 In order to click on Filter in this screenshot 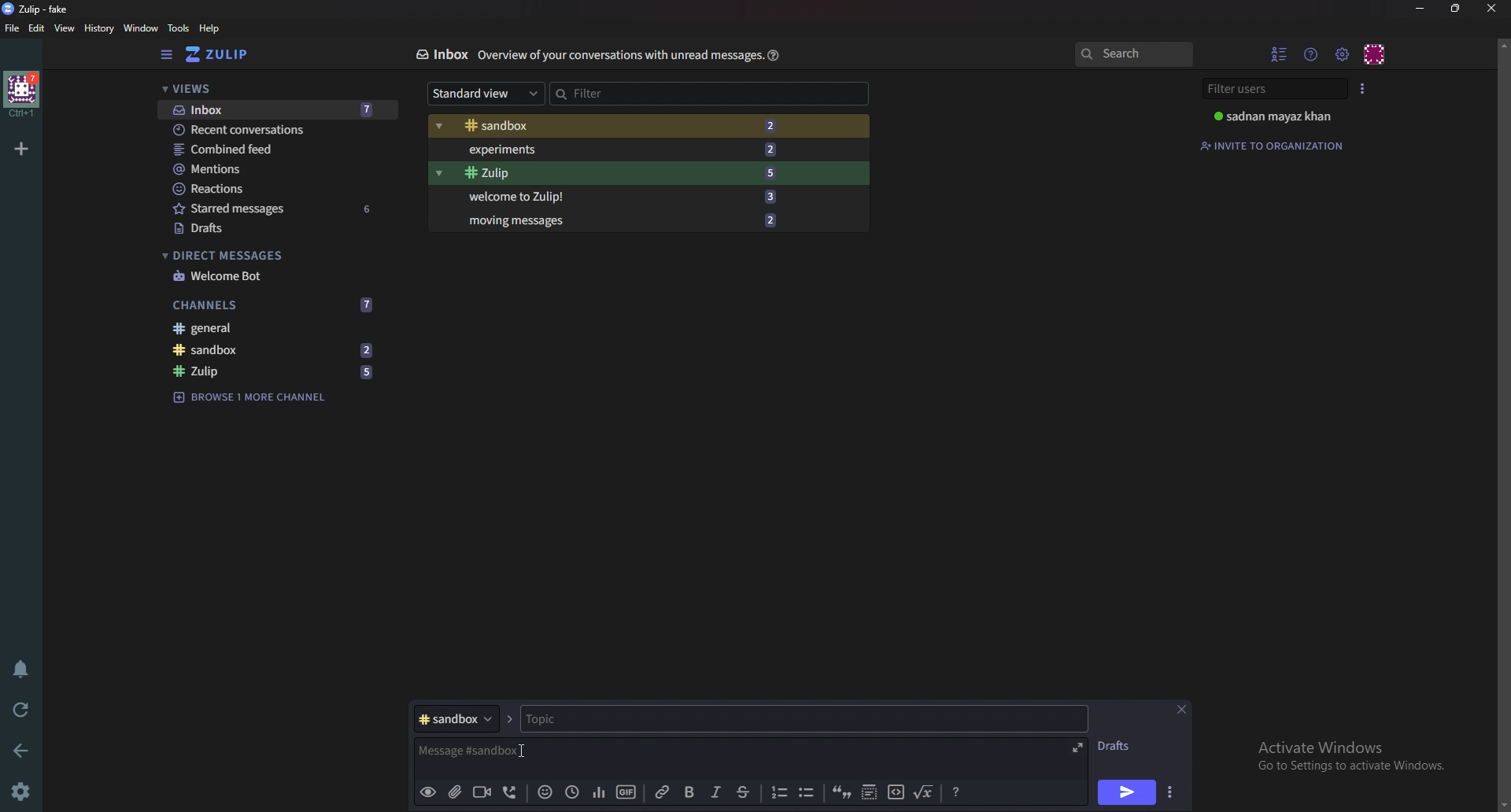, I will do `click(621, 91)`.